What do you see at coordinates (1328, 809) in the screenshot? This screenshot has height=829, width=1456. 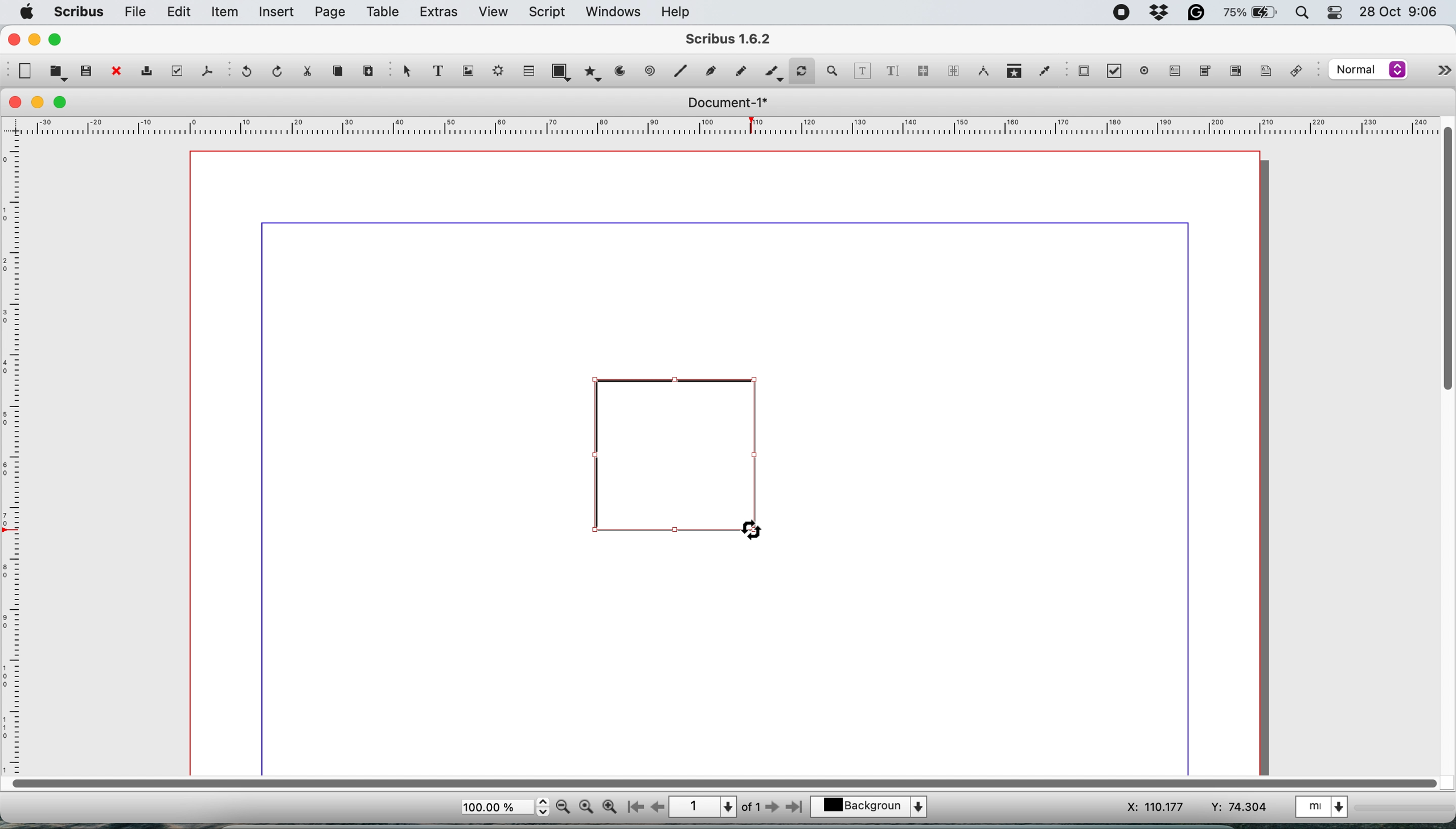 I see `select the current unit` at bounding box center [1328, 809].